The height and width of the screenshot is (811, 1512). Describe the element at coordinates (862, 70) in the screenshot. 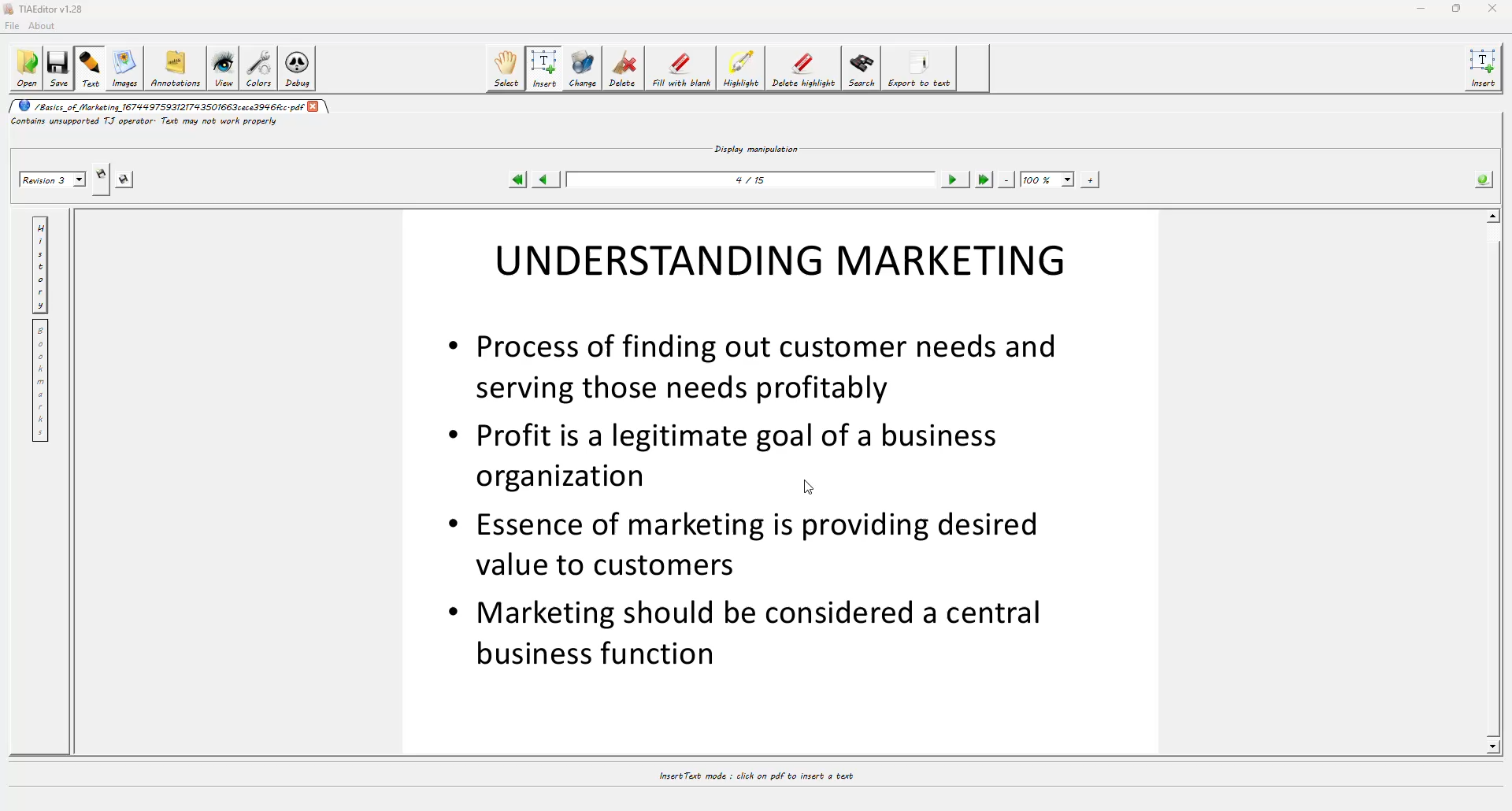

I see `search` at that location.